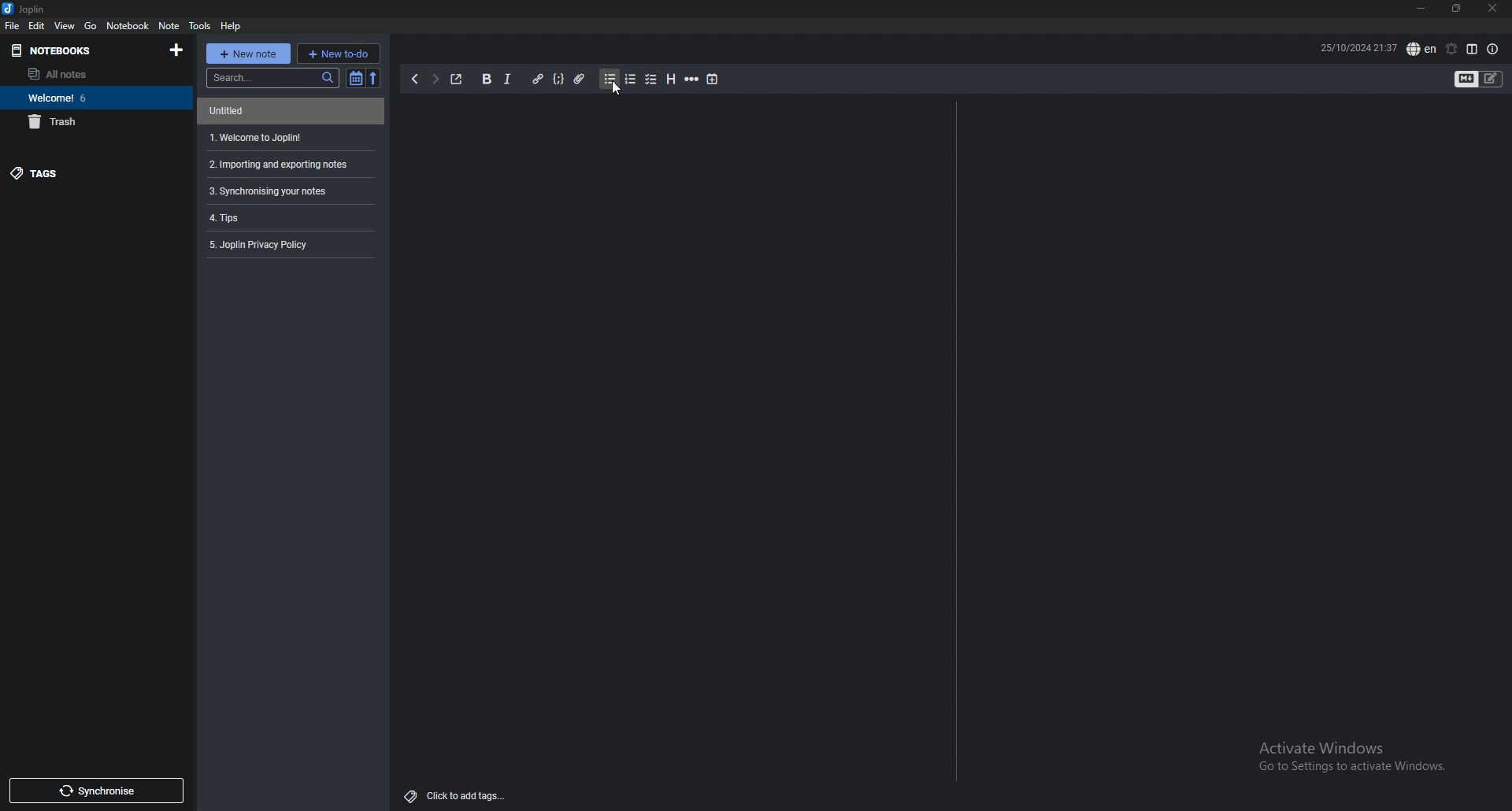 The height and width of the screenshot is (811, 1512). I want to click on reverse sort order, so click(374, 76).